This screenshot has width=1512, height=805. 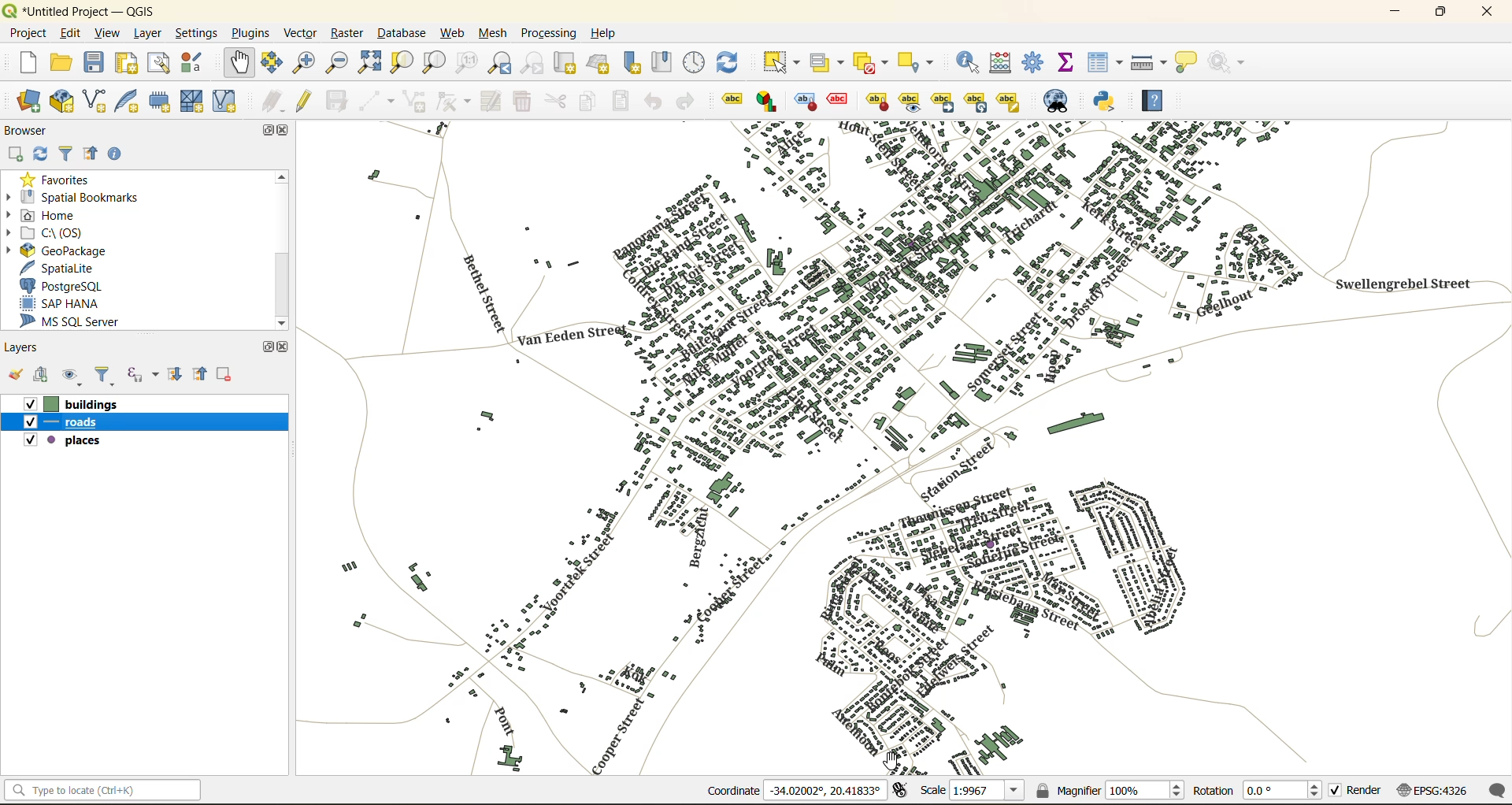 What do you see at coordinates (287, 349) in the screenshot?
I see `close` at bounding box center [287, 349].